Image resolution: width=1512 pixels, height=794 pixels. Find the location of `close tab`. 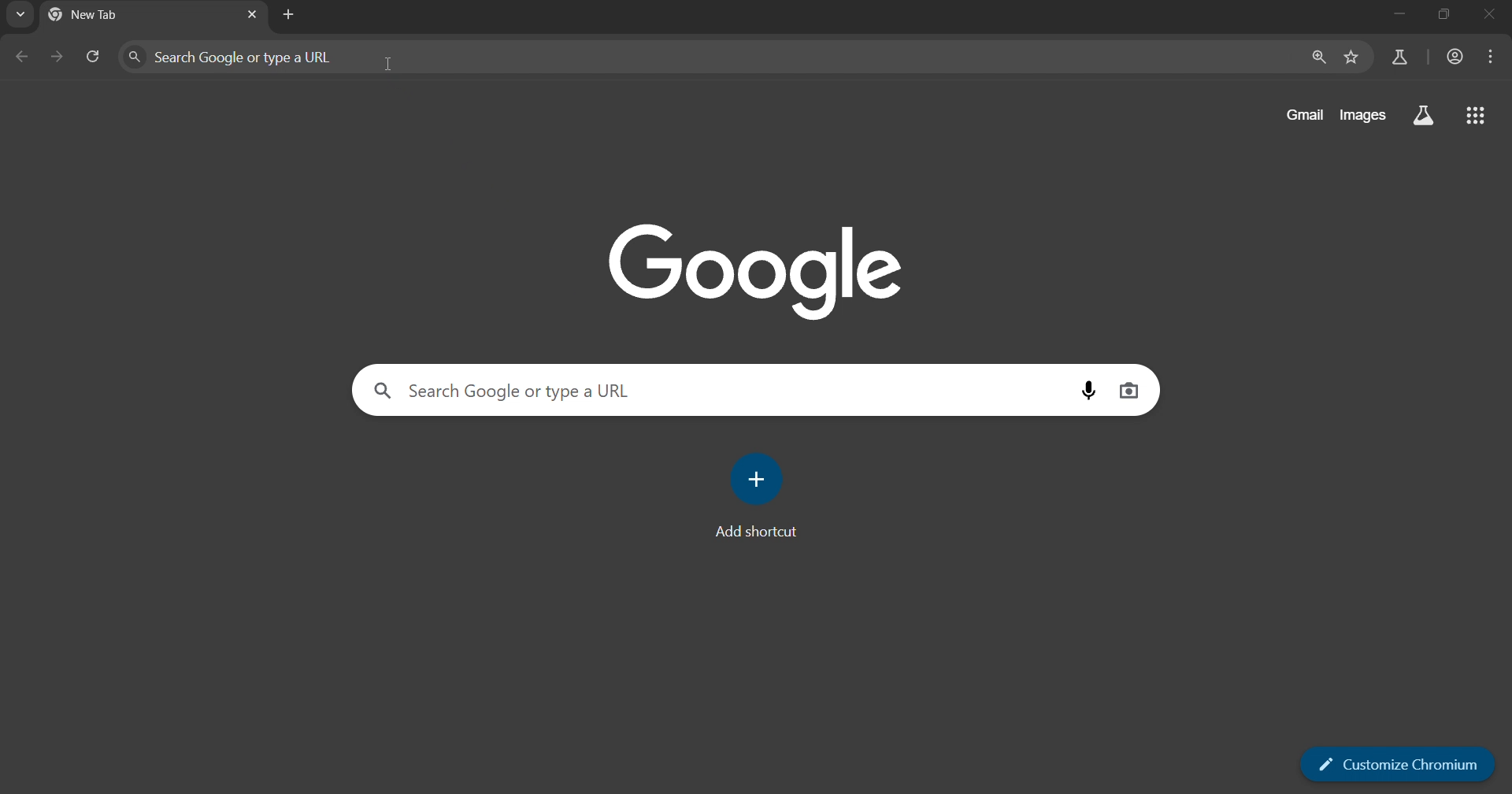

close tab is located at coordinates (250, 16).